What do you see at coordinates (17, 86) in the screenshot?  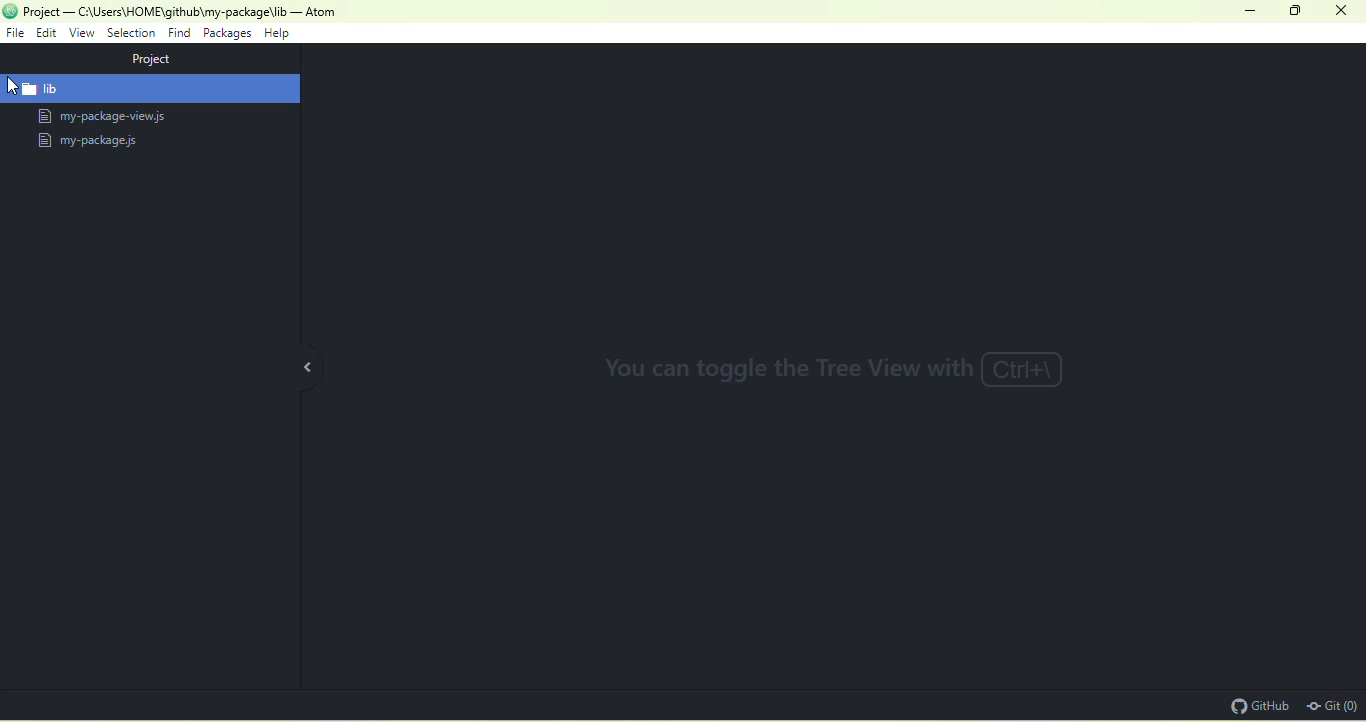 I see `cursor` at bounding box center [17, 86].